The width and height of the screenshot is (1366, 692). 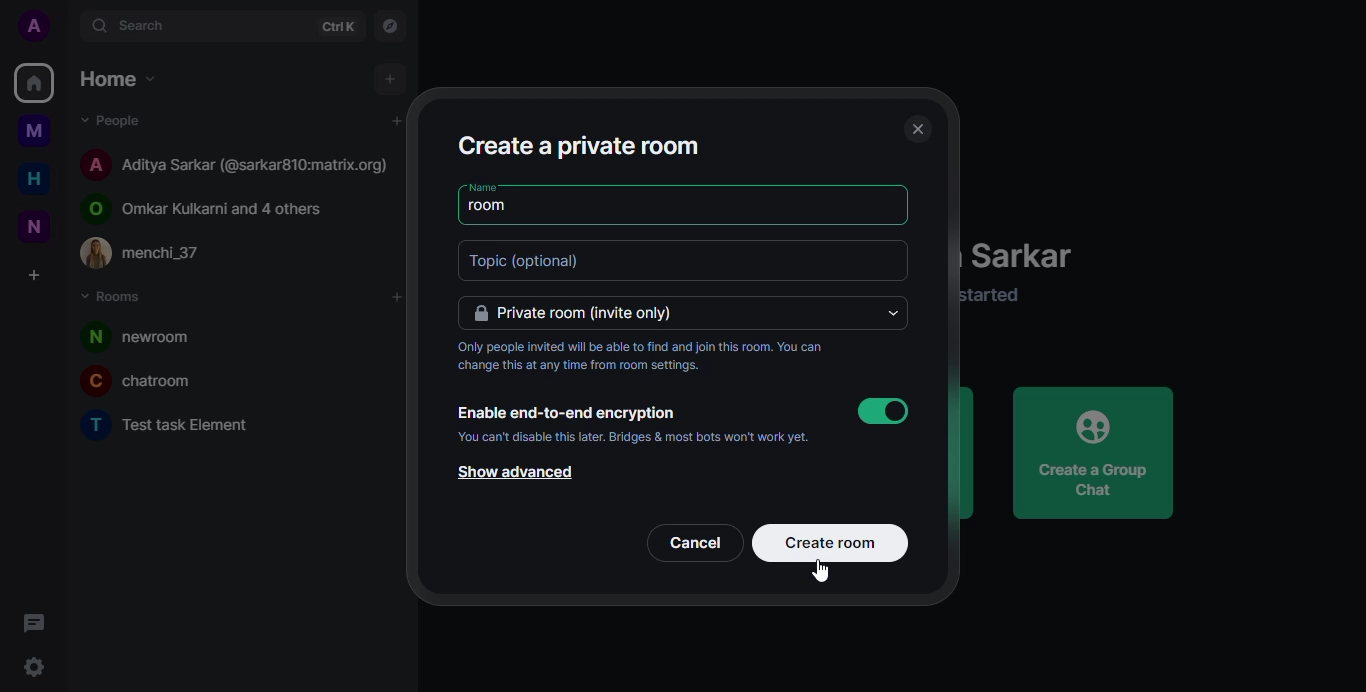 What do you see at coordinates (31, 24) in the screenshot?
I see `profile` at bounding box center [31, 24].